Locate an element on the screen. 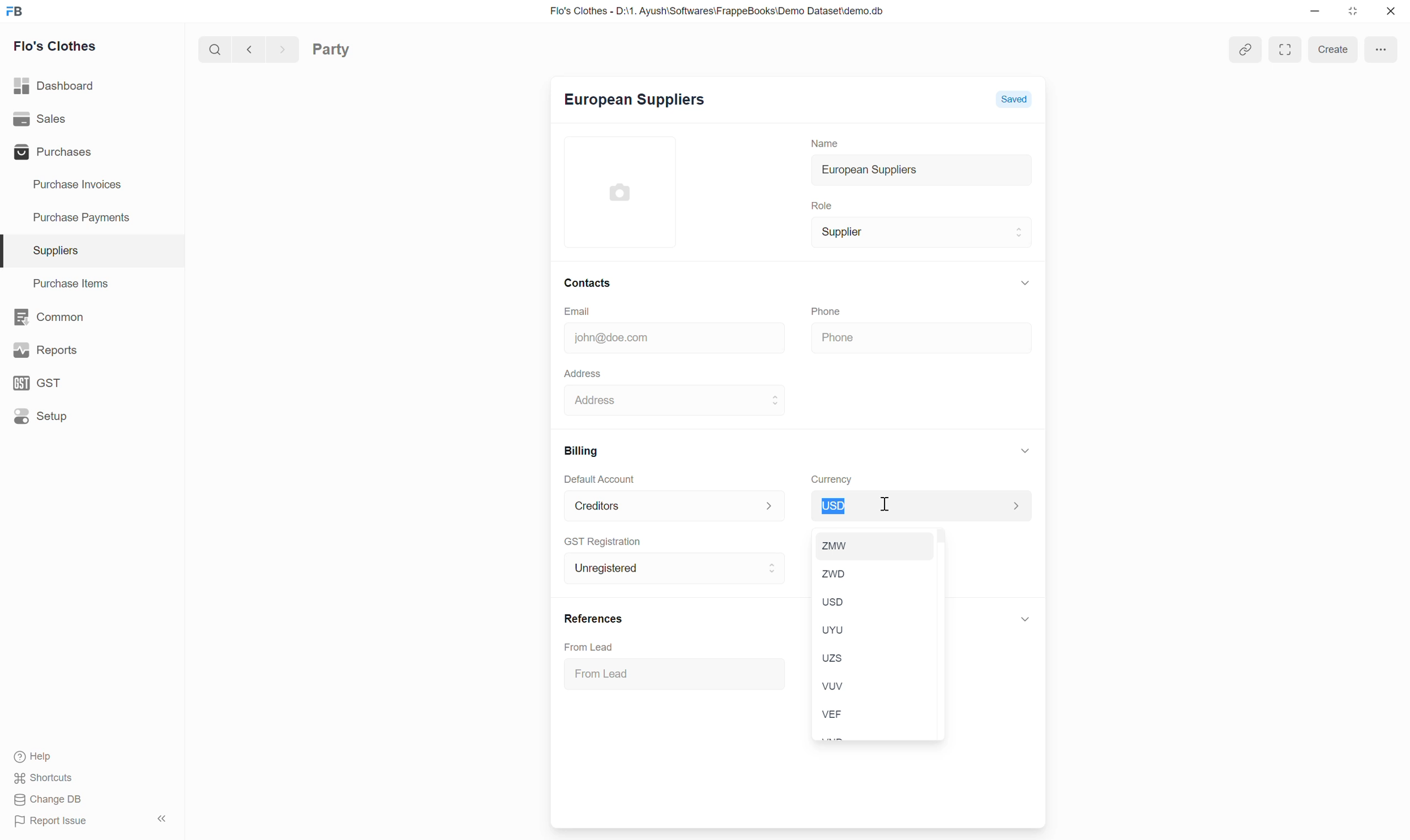 The height and width of the screenshot is (840, 1410). Address is located at coordinates (578, 371).